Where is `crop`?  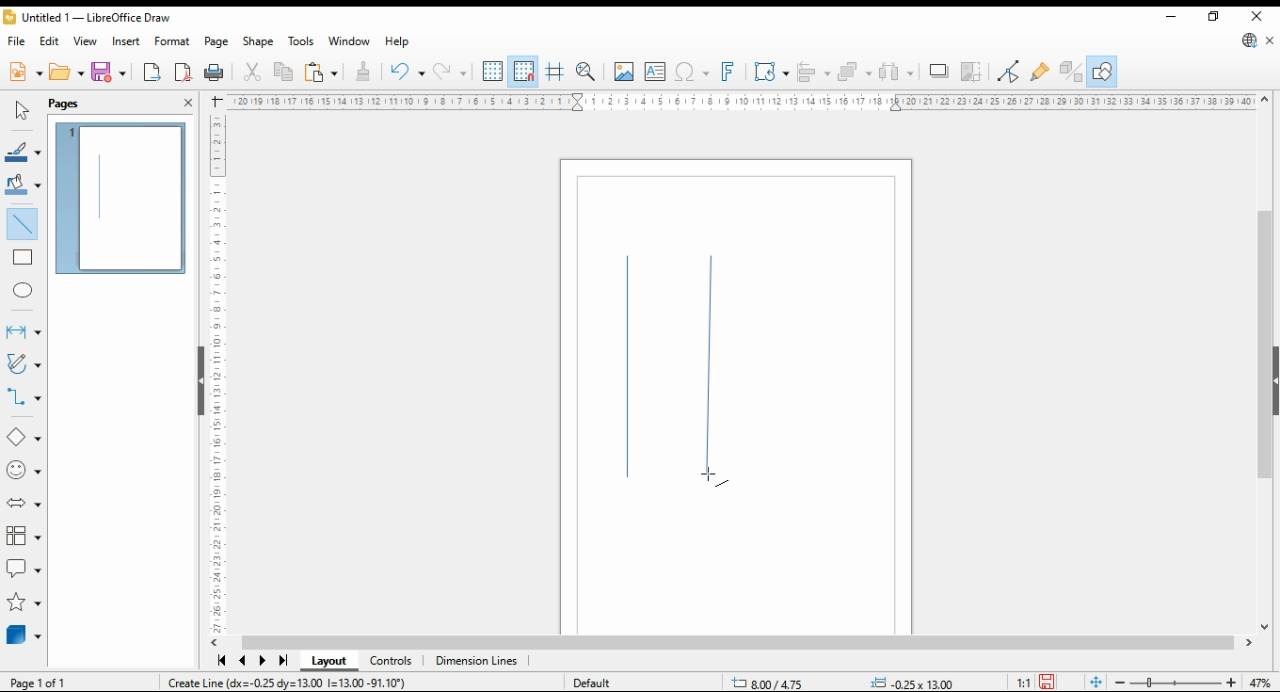 crop is located at coordinates (972, 71).